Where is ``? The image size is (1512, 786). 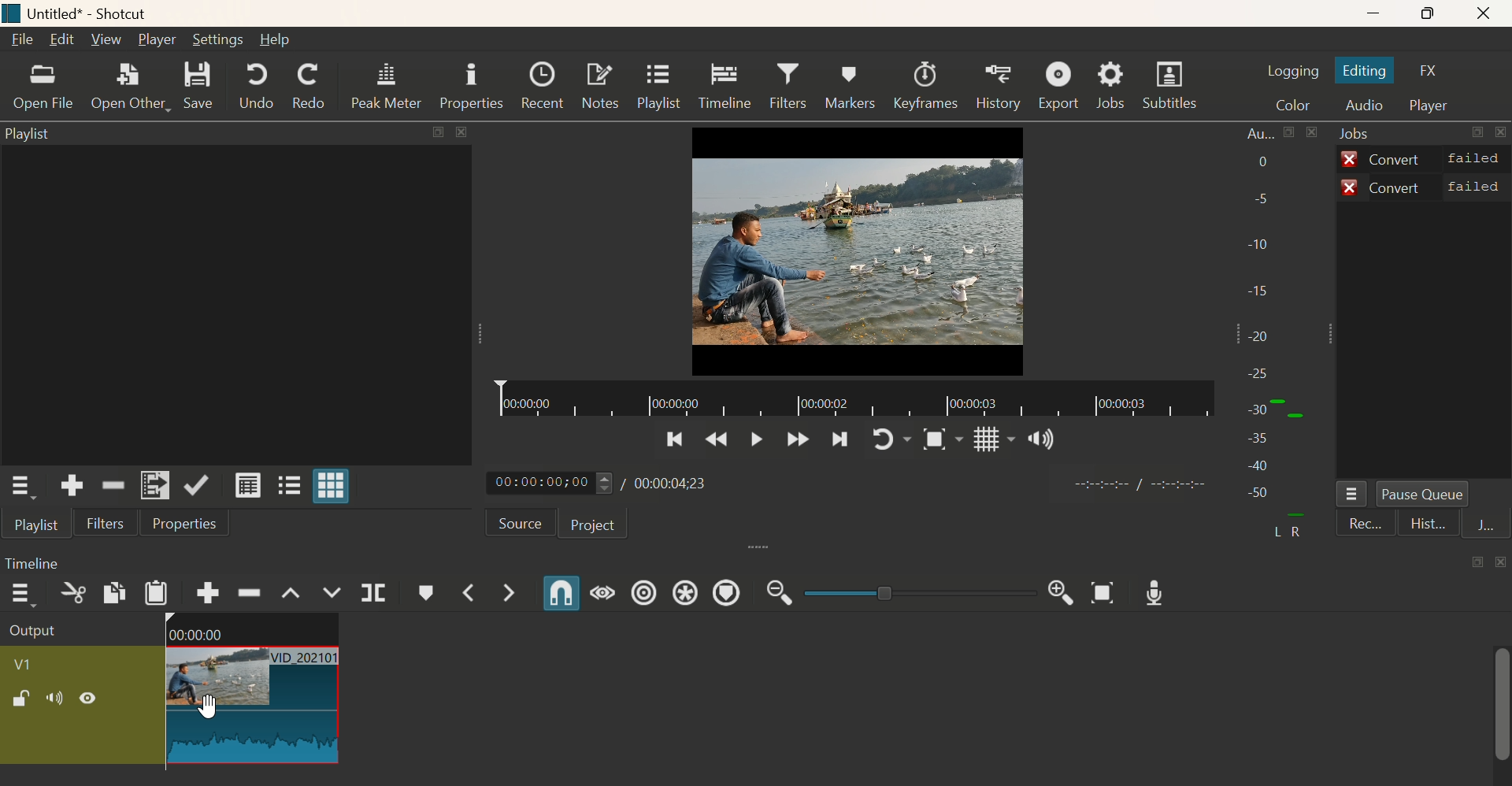
 is located at coordinates (642, 593).